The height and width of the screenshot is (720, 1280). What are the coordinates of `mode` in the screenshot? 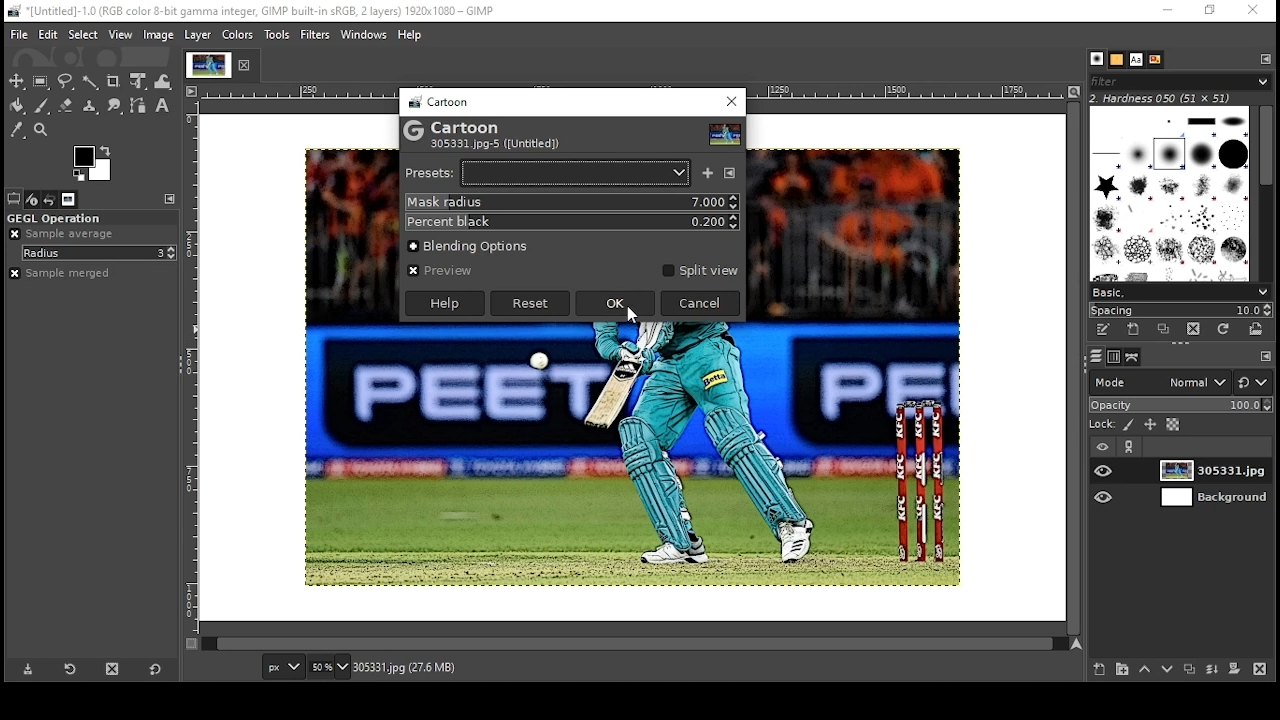 It's located at (1161, 382).